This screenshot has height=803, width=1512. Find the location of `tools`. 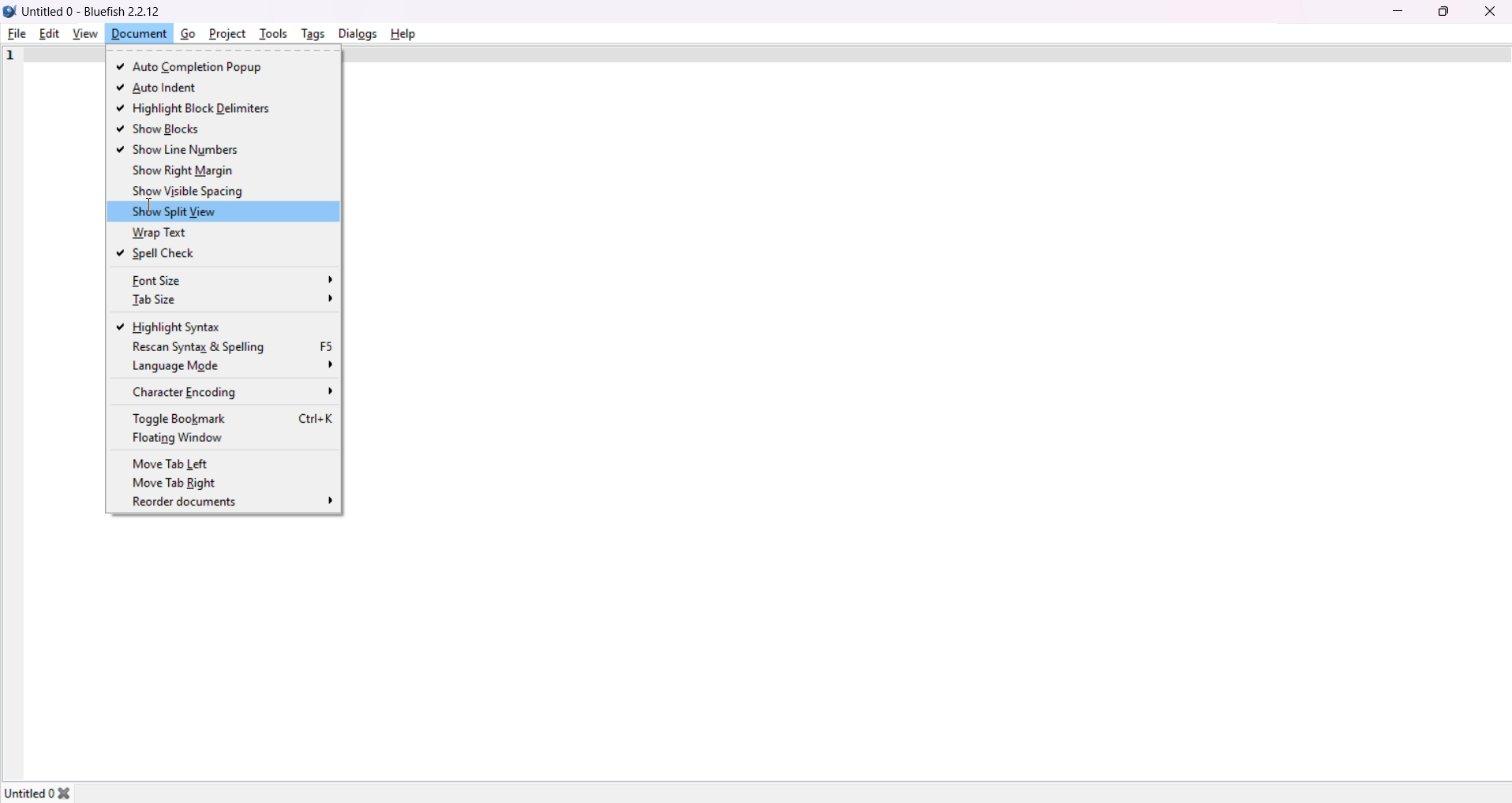

tools is located at coordinates (273, 32).